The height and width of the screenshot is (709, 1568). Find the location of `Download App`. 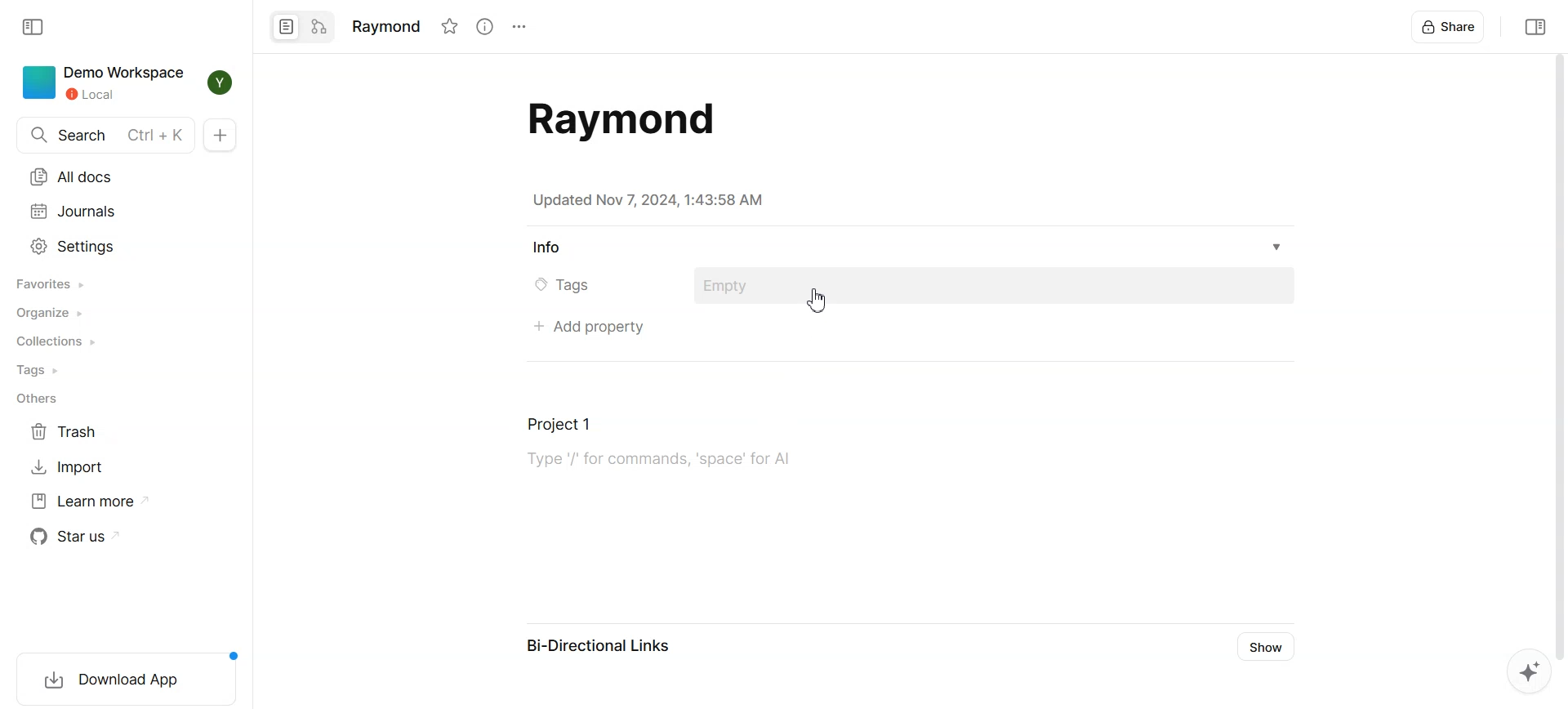

Download App is located at coordinates (121, 676).